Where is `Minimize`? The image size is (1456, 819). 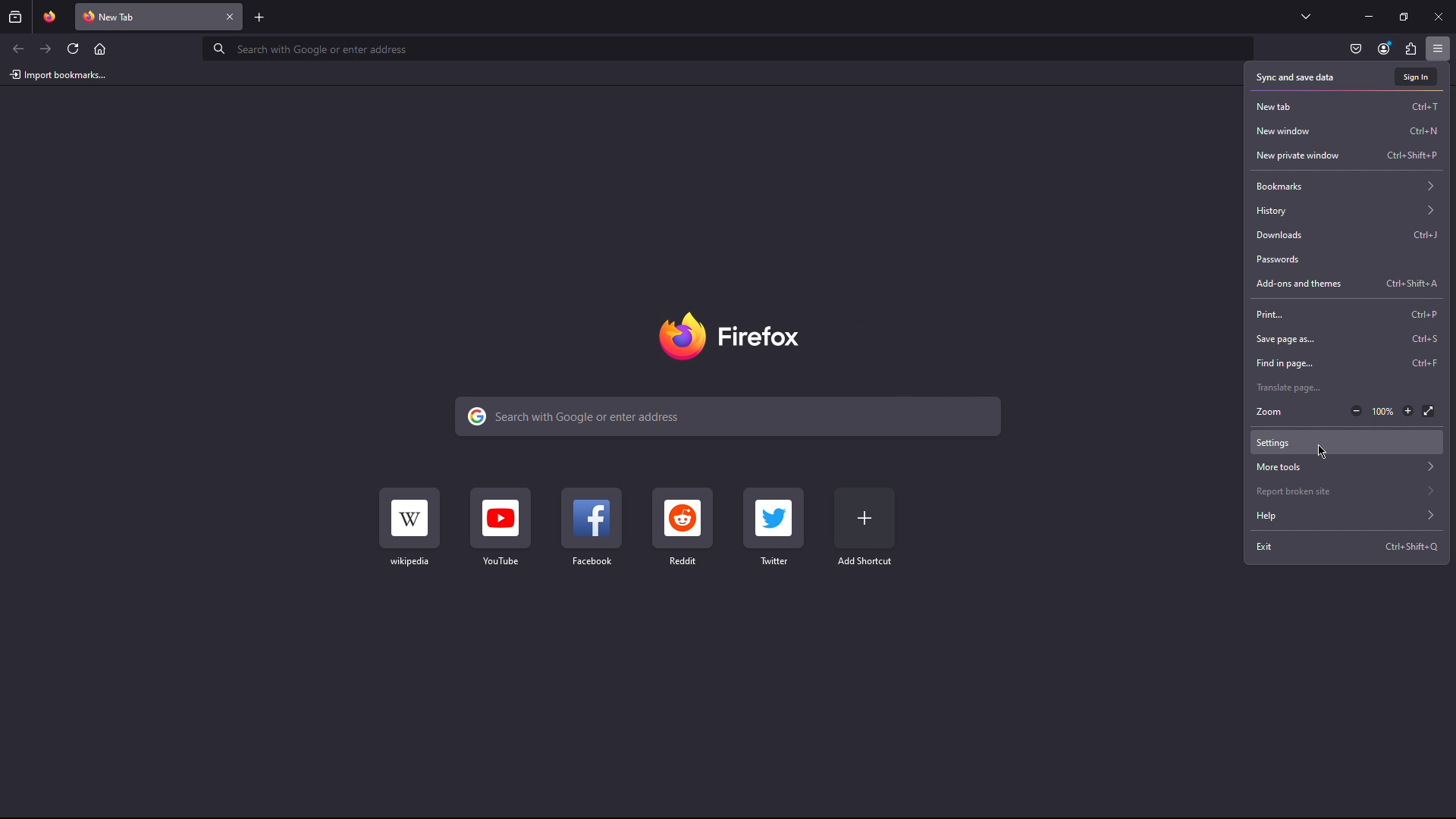
Minimize is located at coordinates (1368, 16).